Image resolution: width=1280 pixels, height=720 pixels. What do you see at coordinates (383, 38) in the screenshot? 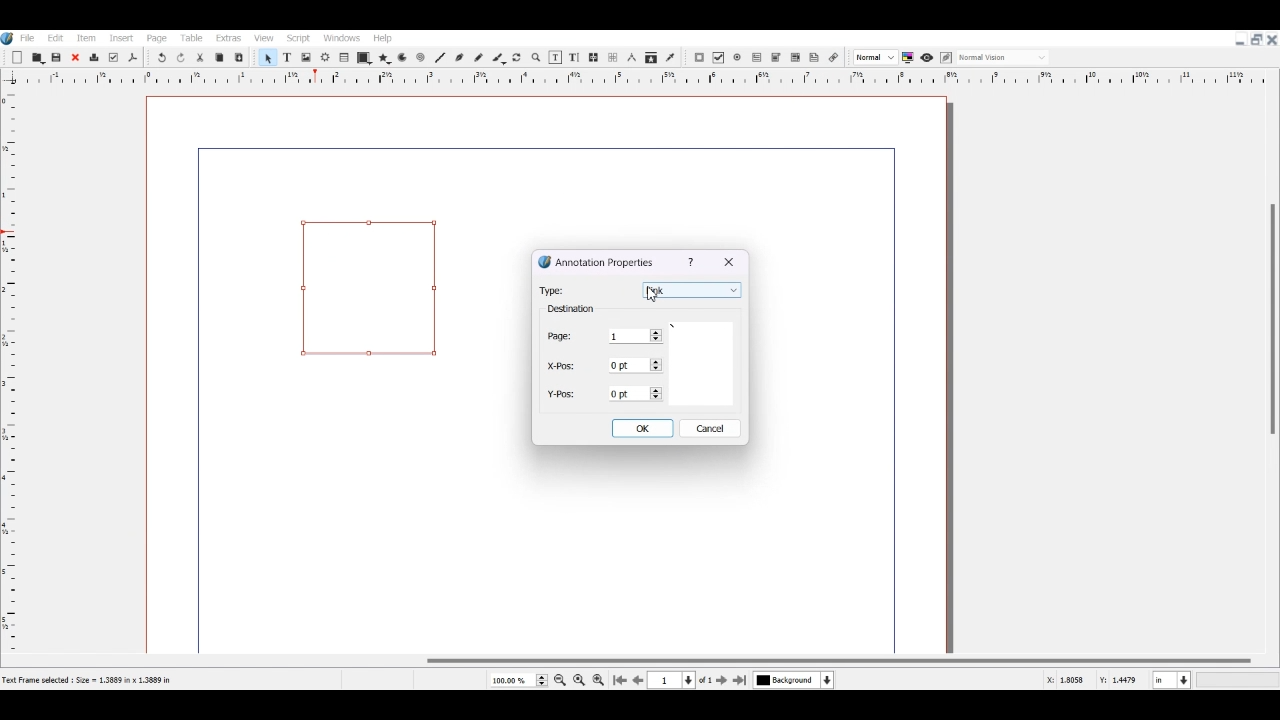
I see `Help` at bounding box center [383, 38].